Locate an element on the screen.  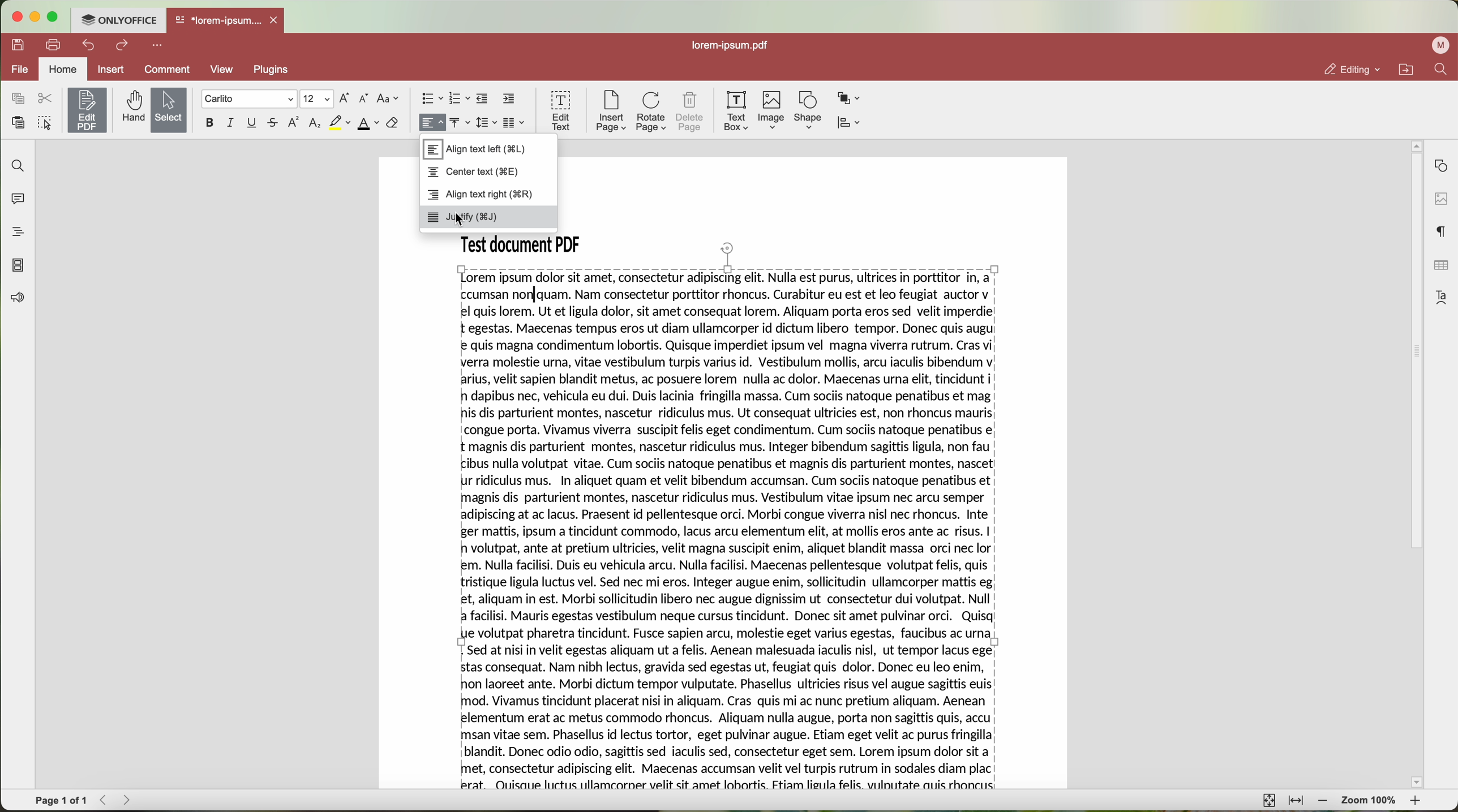
hand is located at coordinates (131, 110).